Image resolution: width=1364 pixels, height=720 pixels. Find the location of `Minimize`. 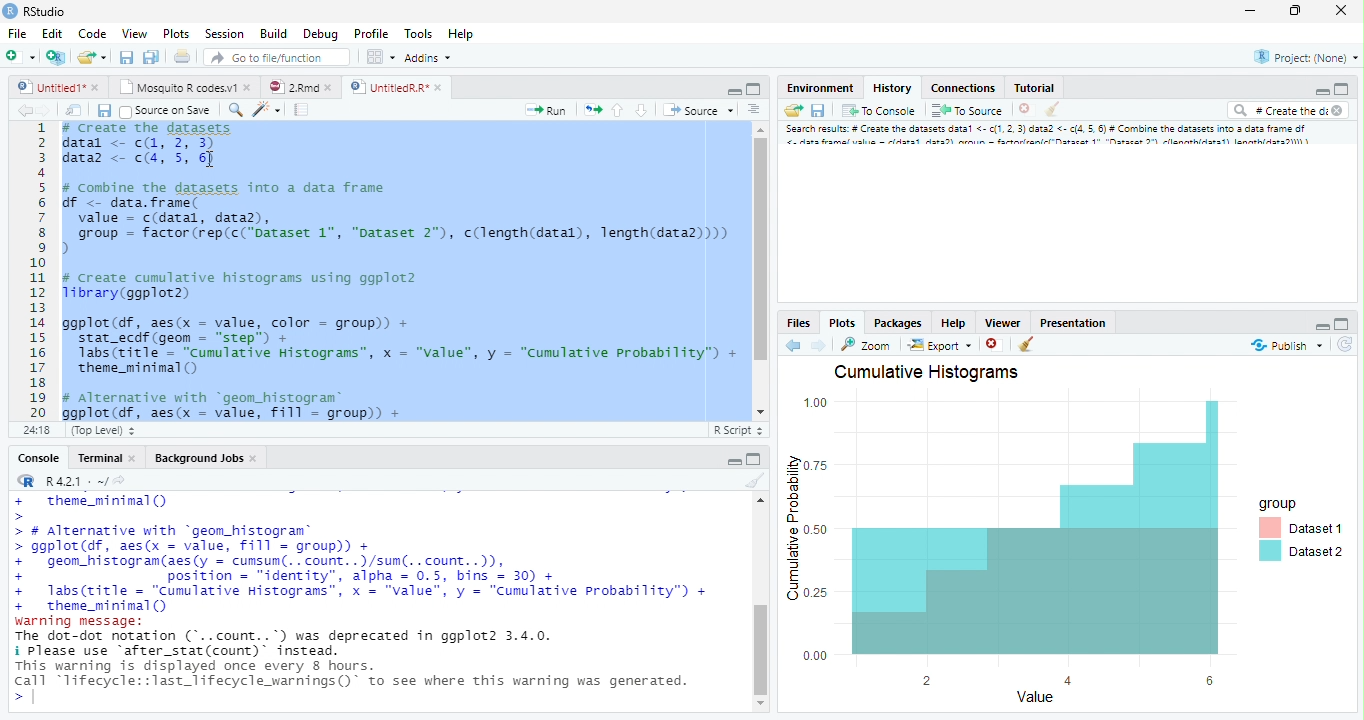

Minimize is located at coordinates (733, 91).